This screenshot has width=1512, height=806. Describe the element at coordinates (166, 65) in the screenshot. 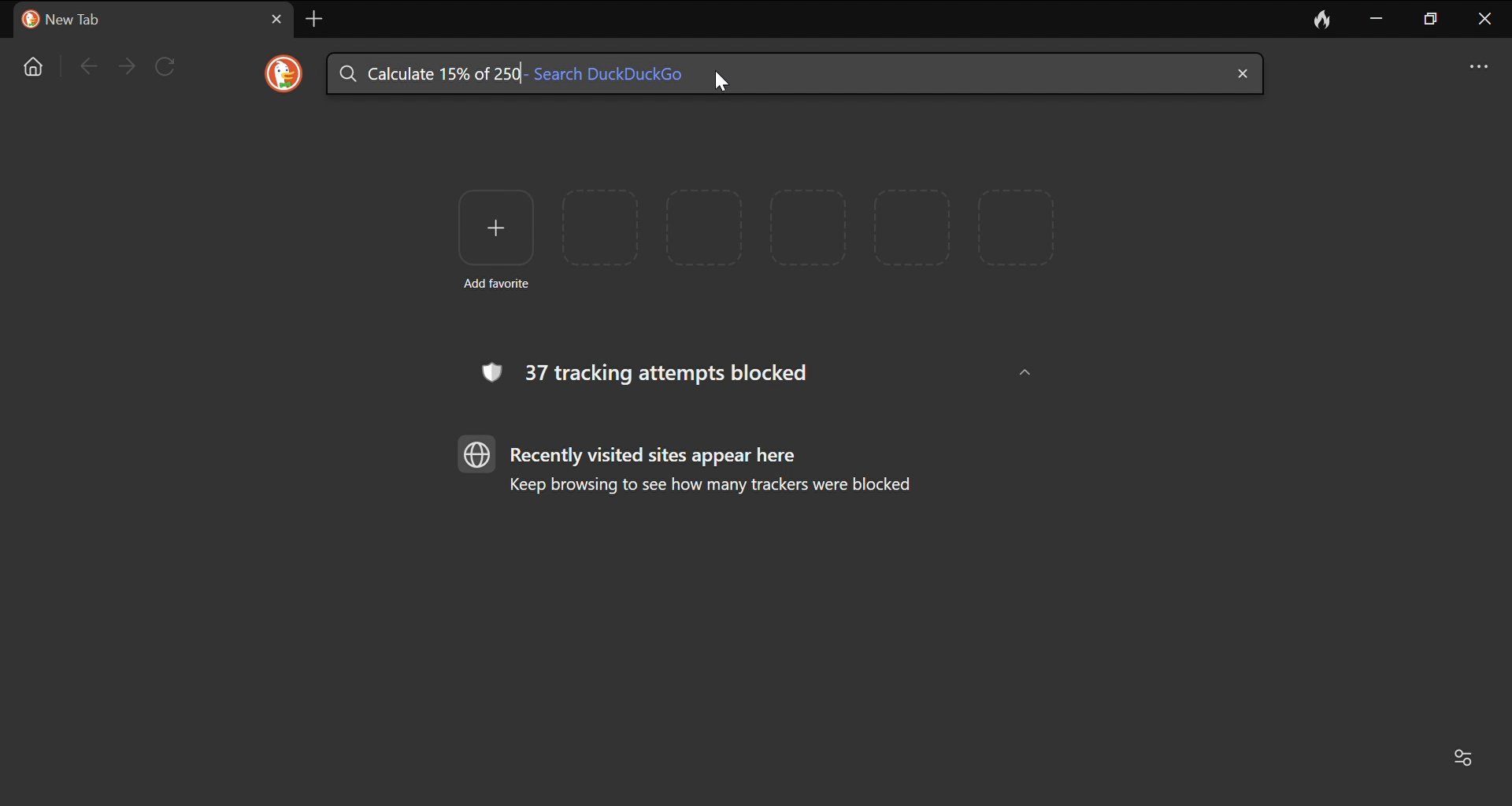

I see `Reload` at that location.